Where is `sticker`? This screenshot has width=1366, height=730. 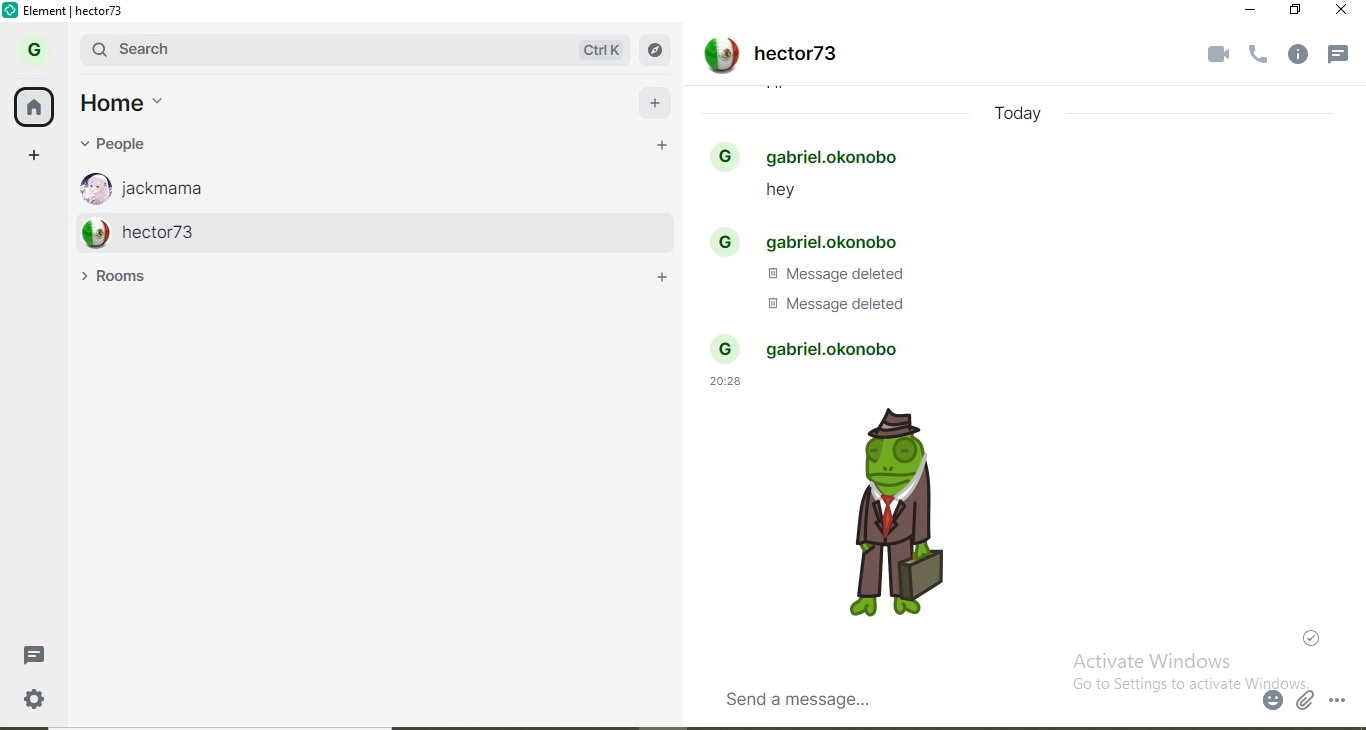
sticker is located at coordinates (888, 507).